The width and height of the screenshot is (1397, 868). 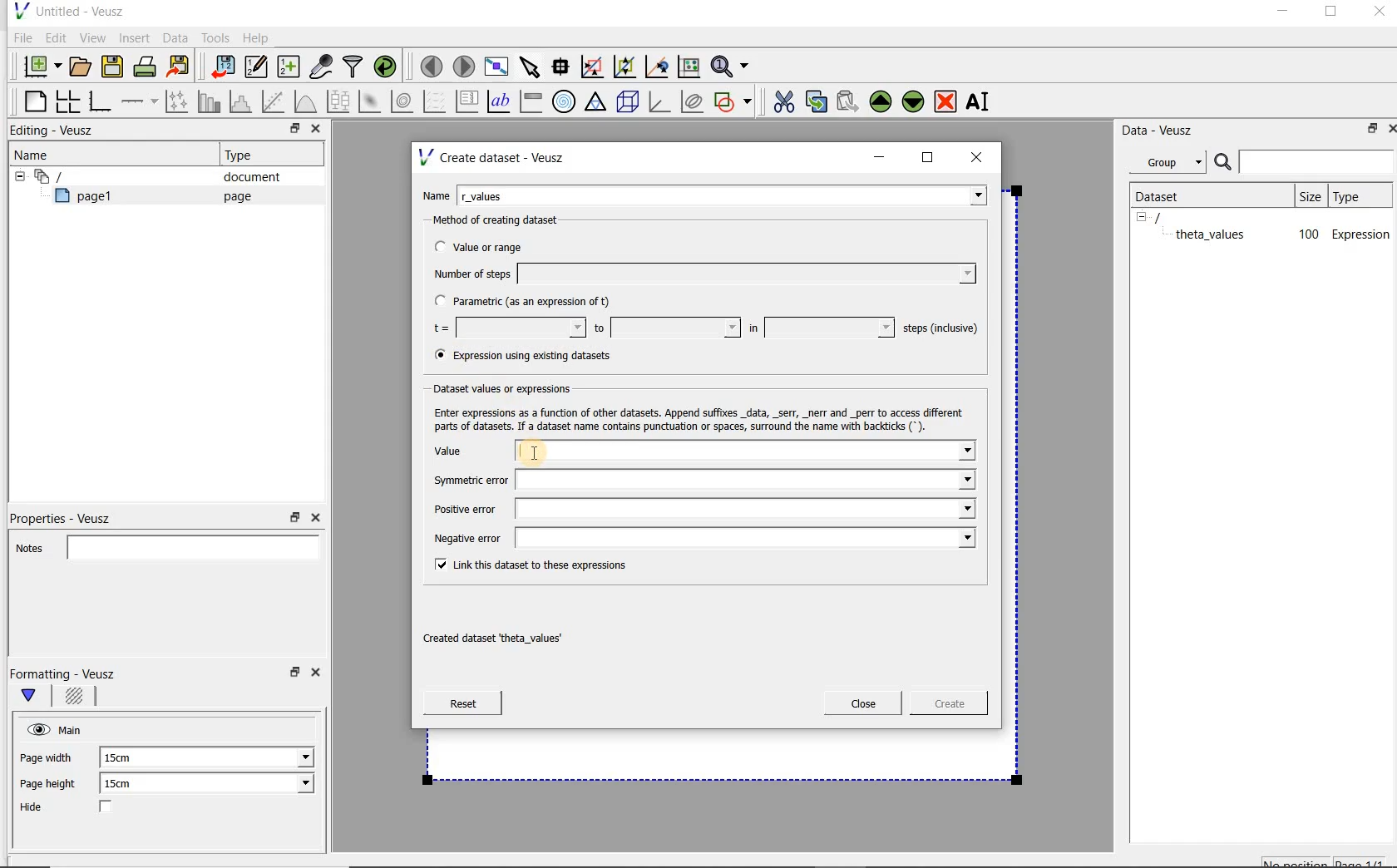 What do you see at coordinates (287, 757) in the screenshot?
I see `Page width dropdown` at bounding box center [287, 757].